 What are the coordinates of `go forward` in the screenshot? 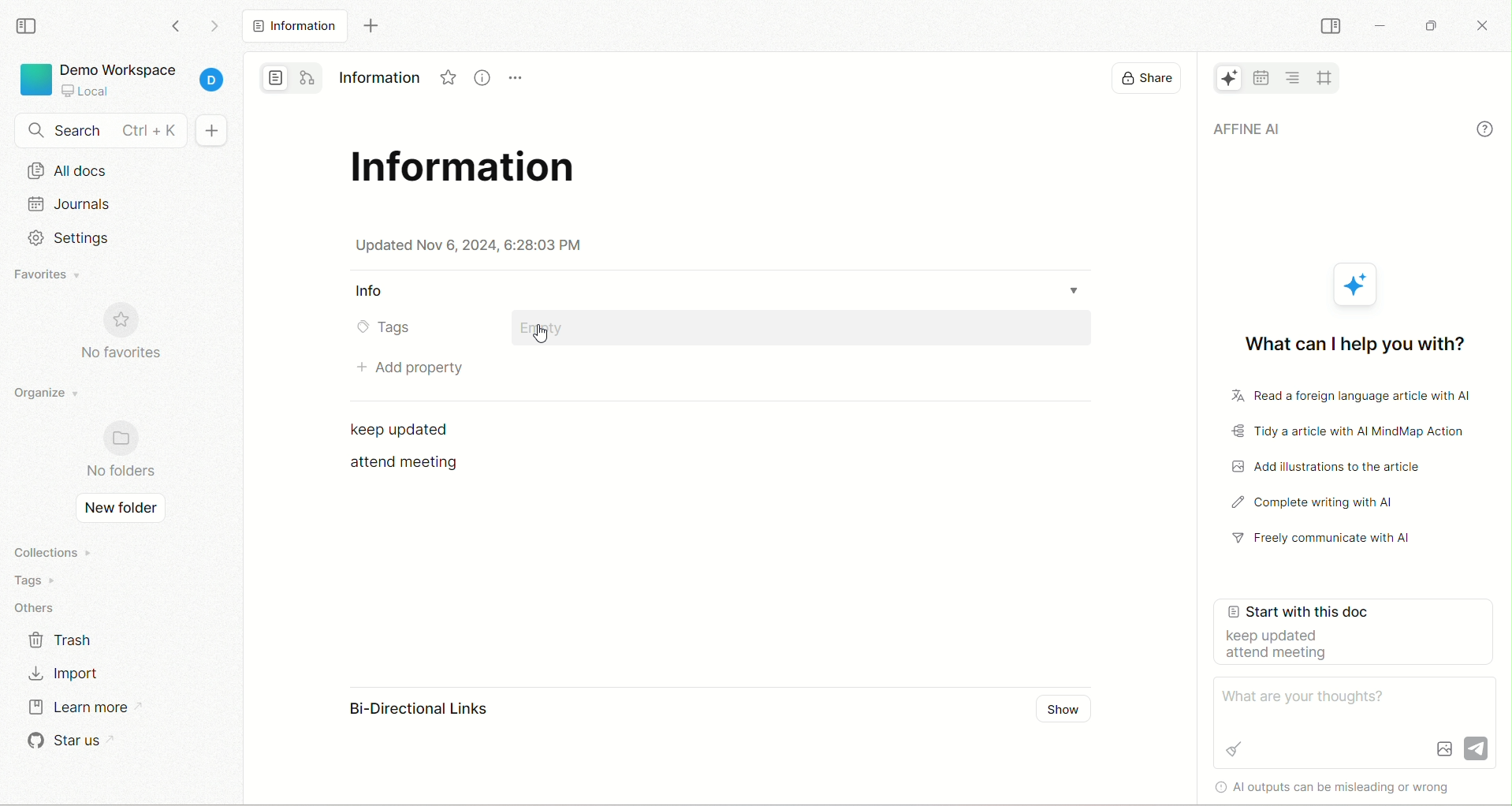 It's located at (210, 27).